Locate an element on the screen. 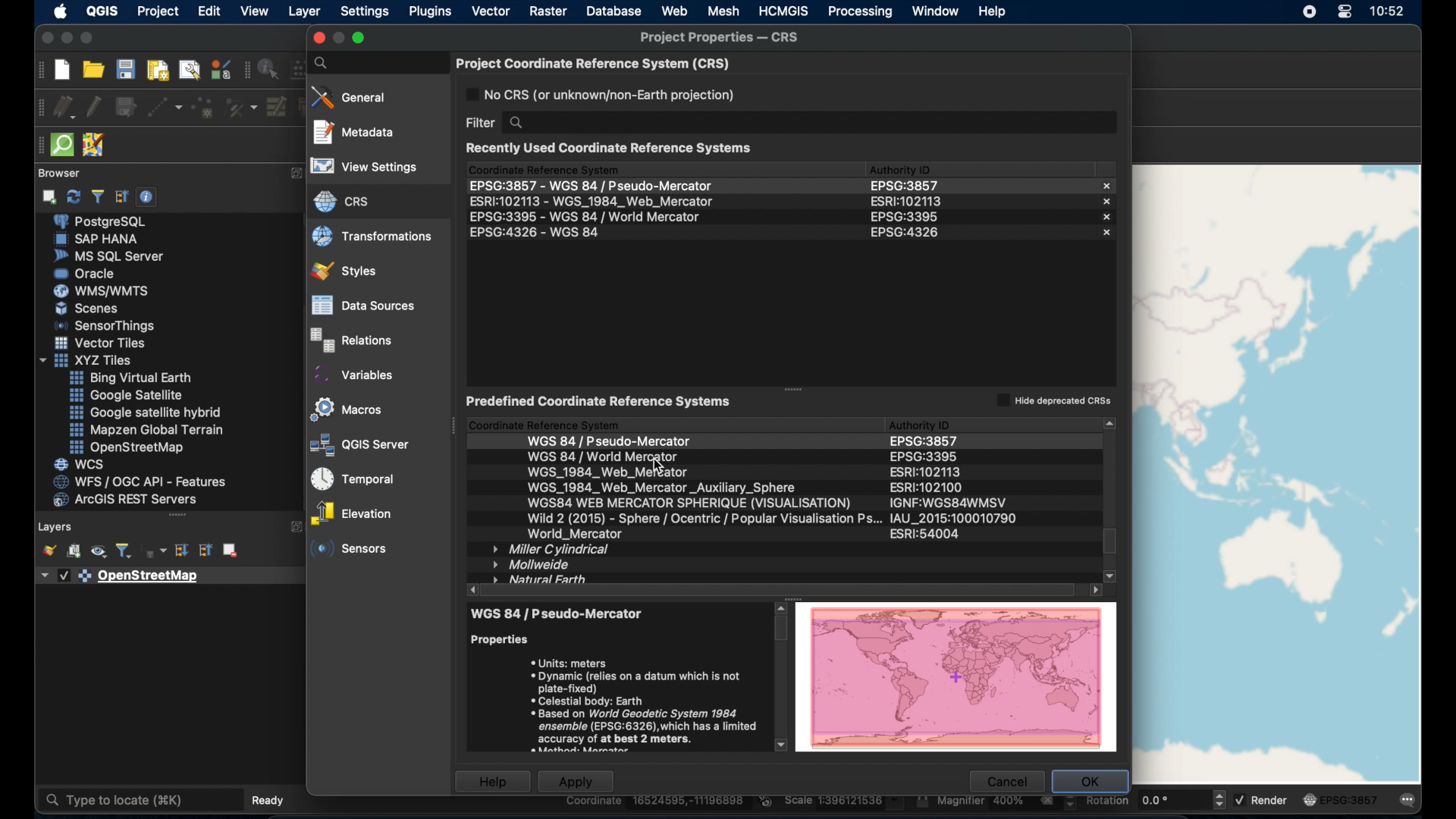 The width and height of the screenshot is (1456, 819). esri:540004 is located at coordinates (929, 534).